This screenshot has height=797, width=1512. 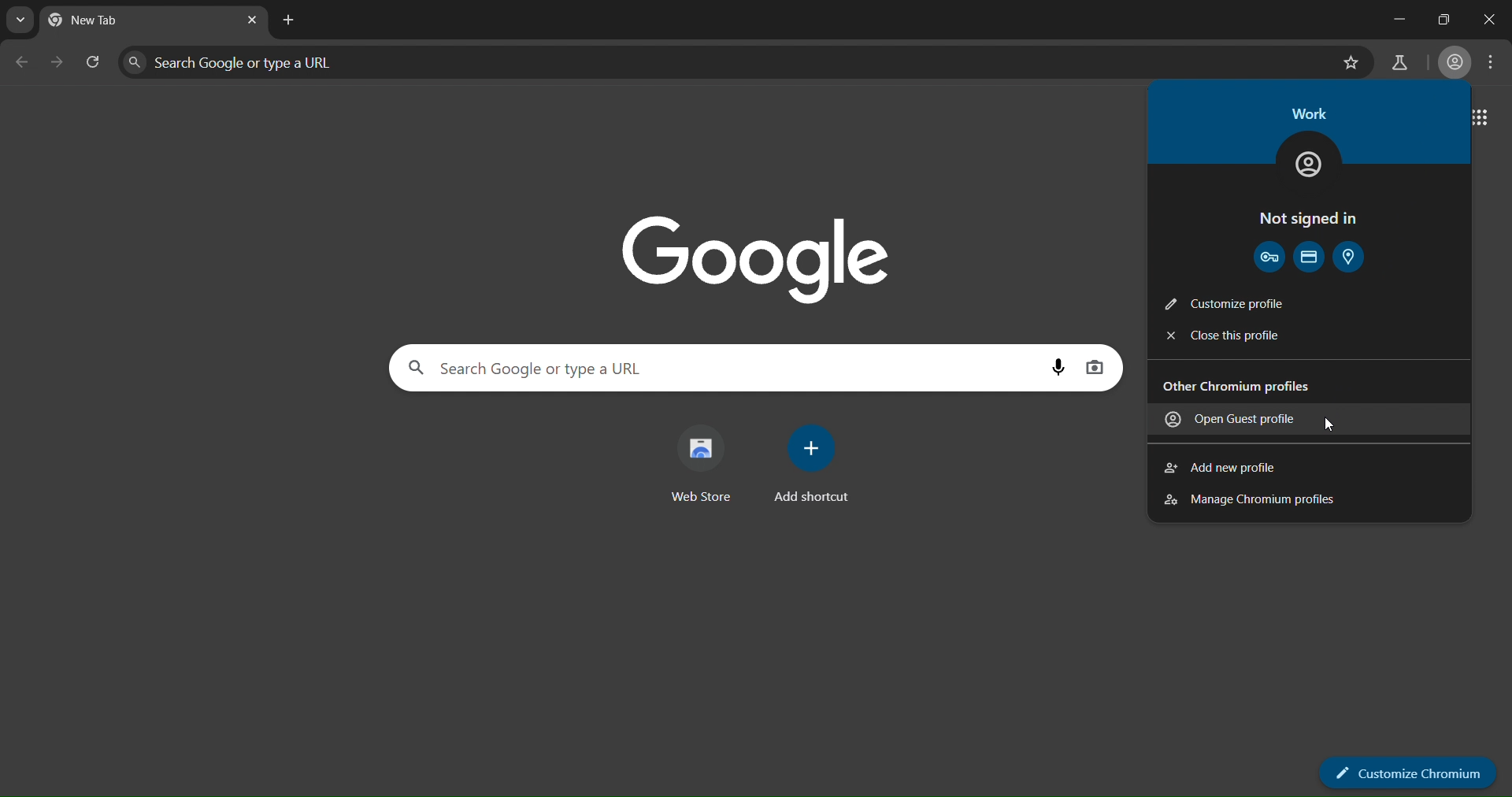 I want to click on image search, so click(x=1096, y=371).